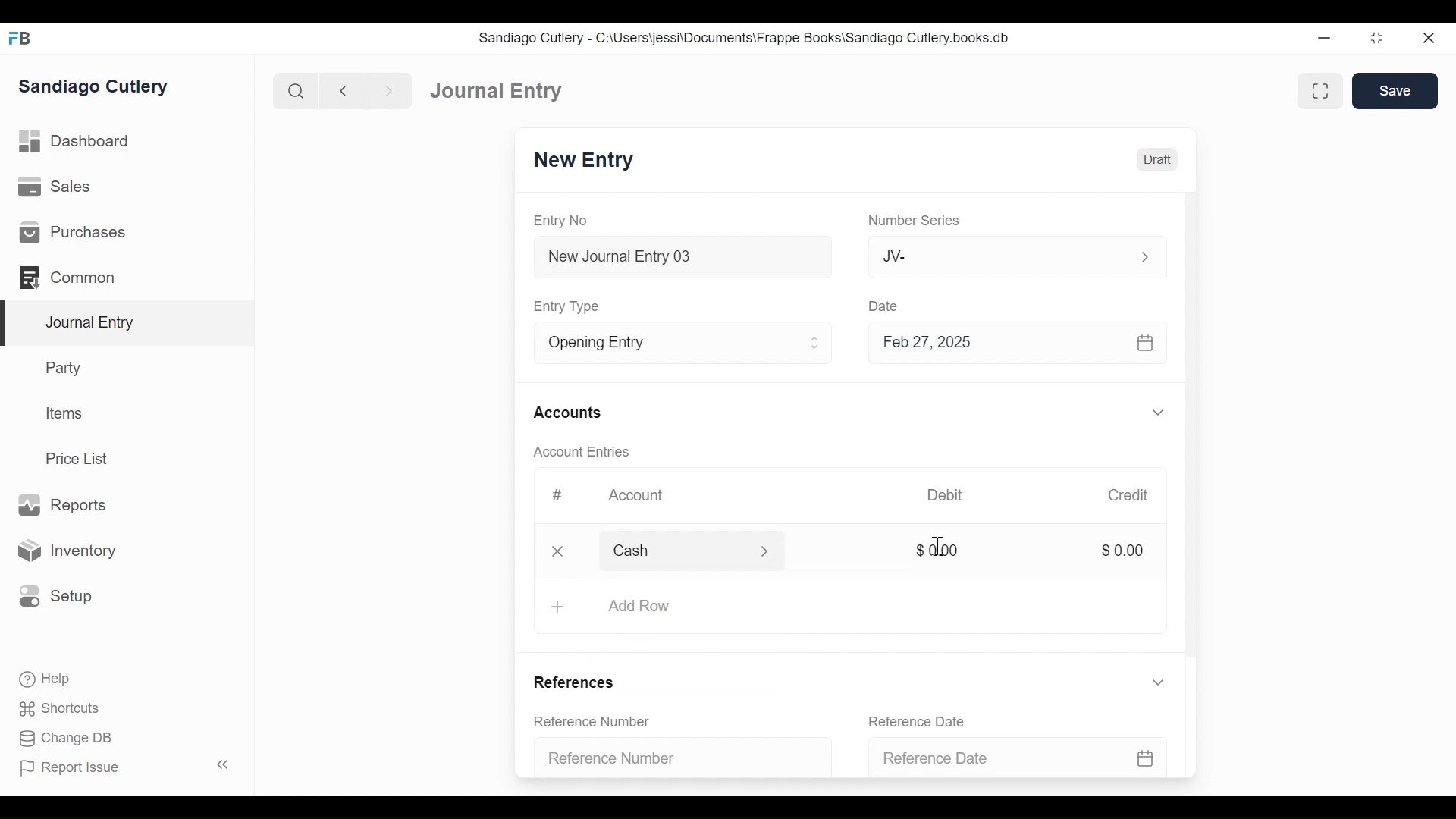  Describe the element at coordinates (1160, 412) in the screenshot. I see `Expand` at that location.